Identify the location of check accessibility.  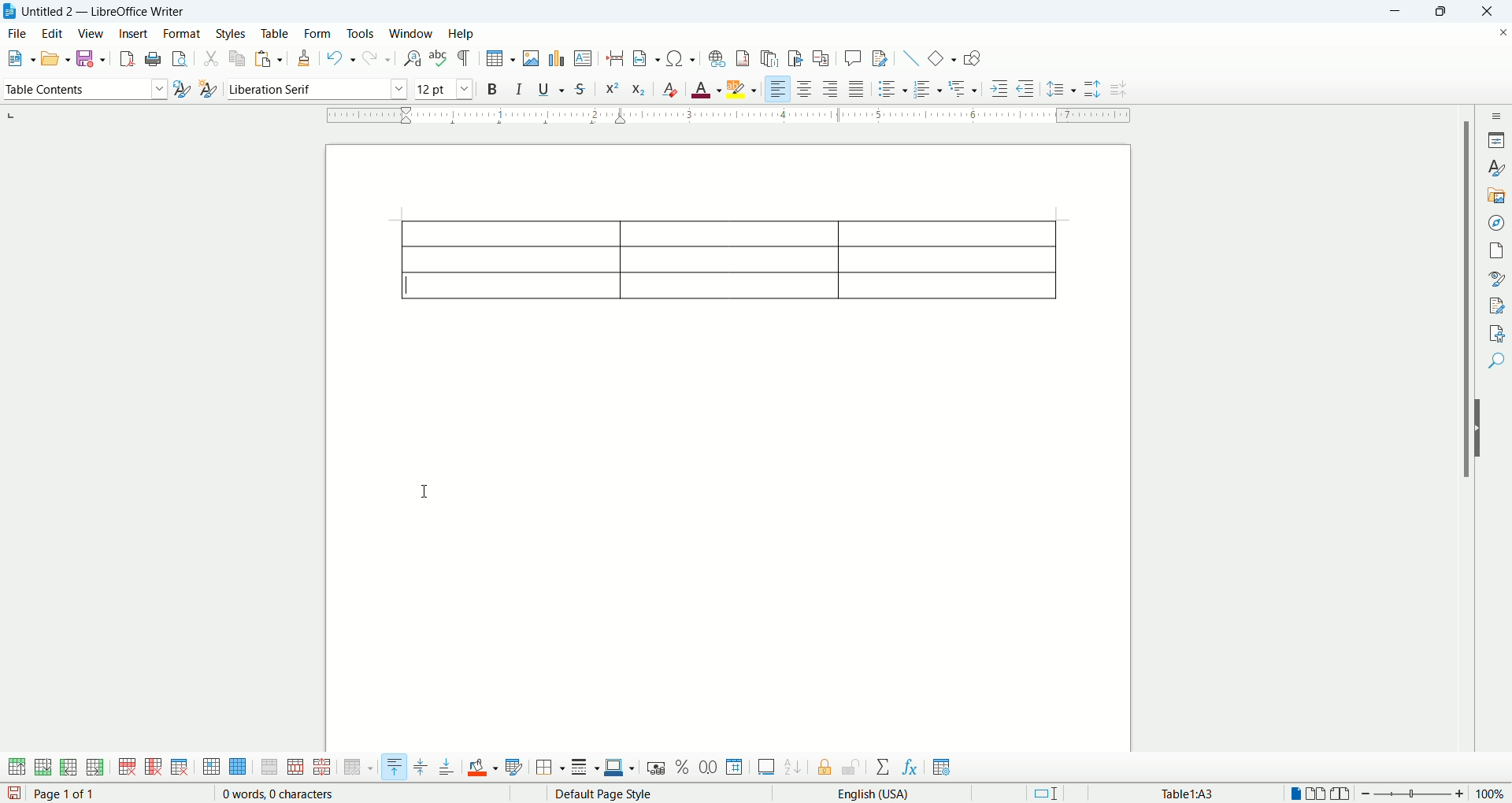
(1495, 333).